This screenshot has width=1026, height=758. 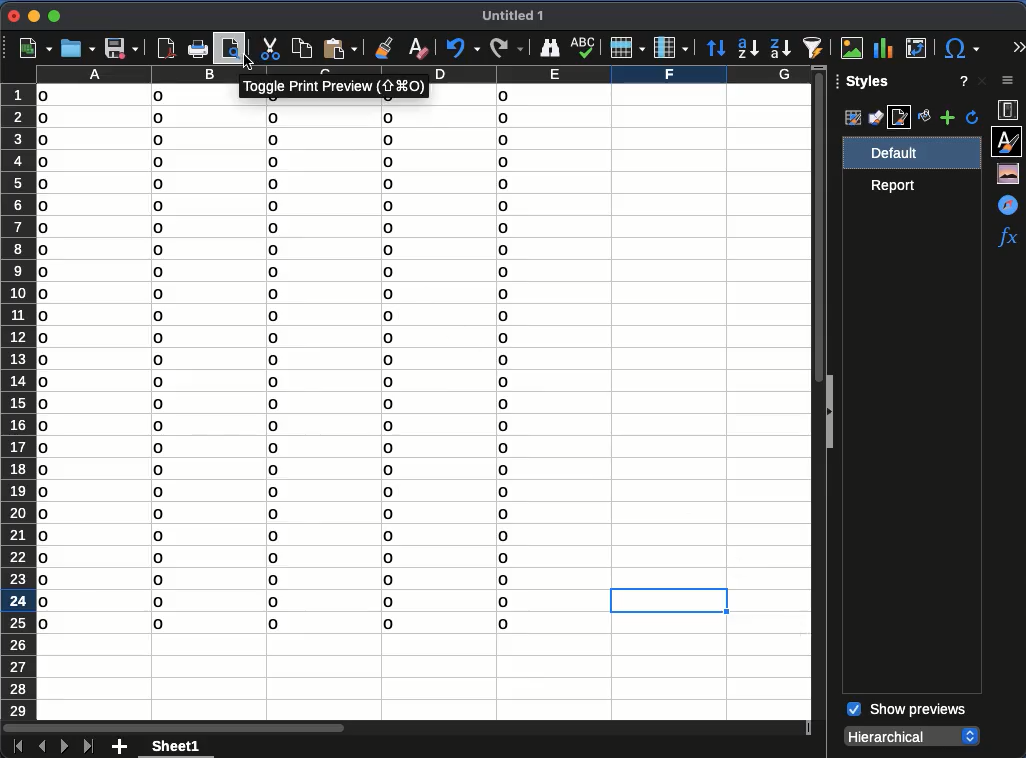 What do you see at coordinates (517, 17) in the screenshot?
I see `untitled` at bounding box center [517, 17].